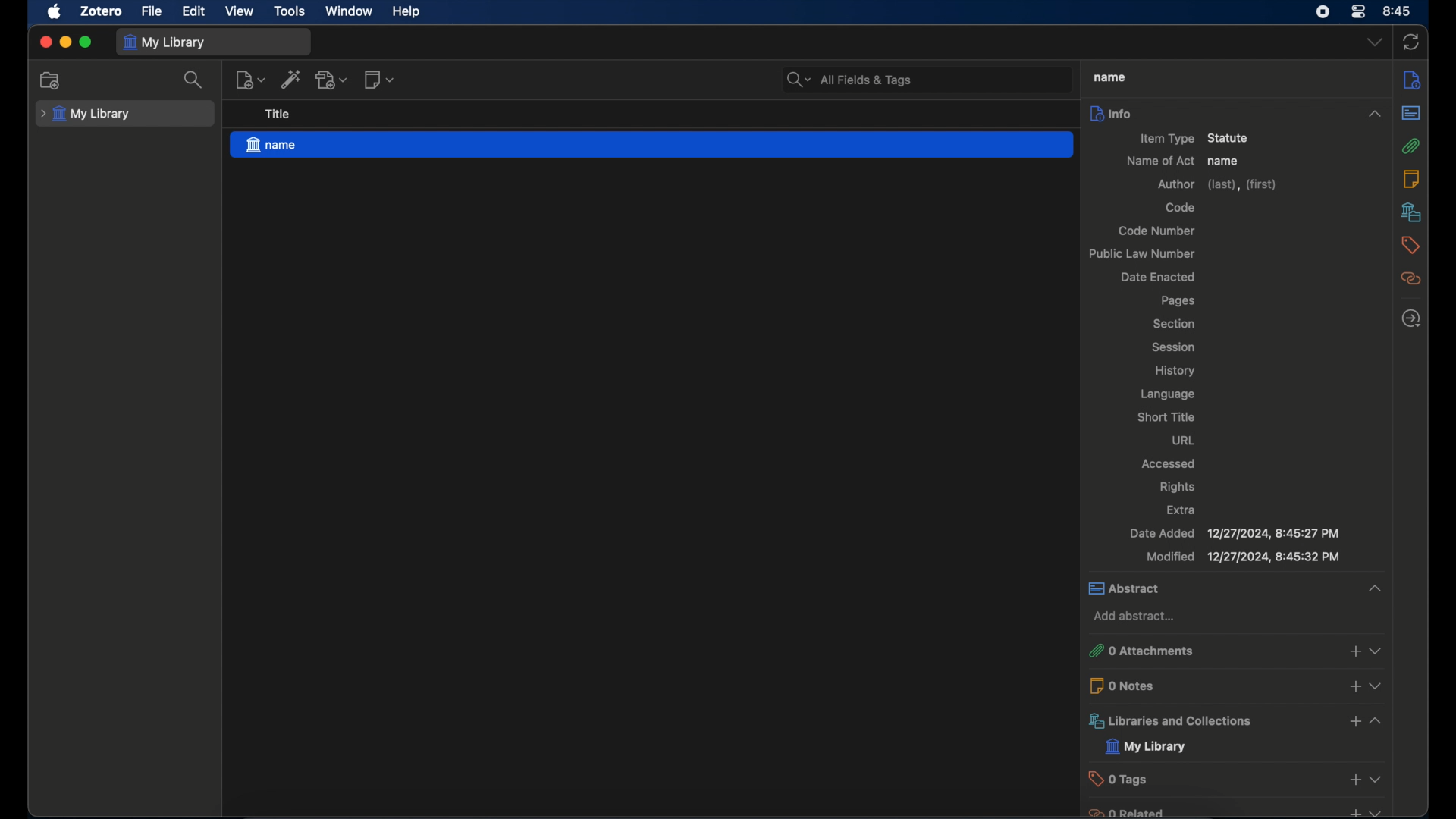 The height and width of the screenshot is (819, 1456). Describe the element at coordinates (1353, 722) in the screenshot. I see `add libraries` at that location.